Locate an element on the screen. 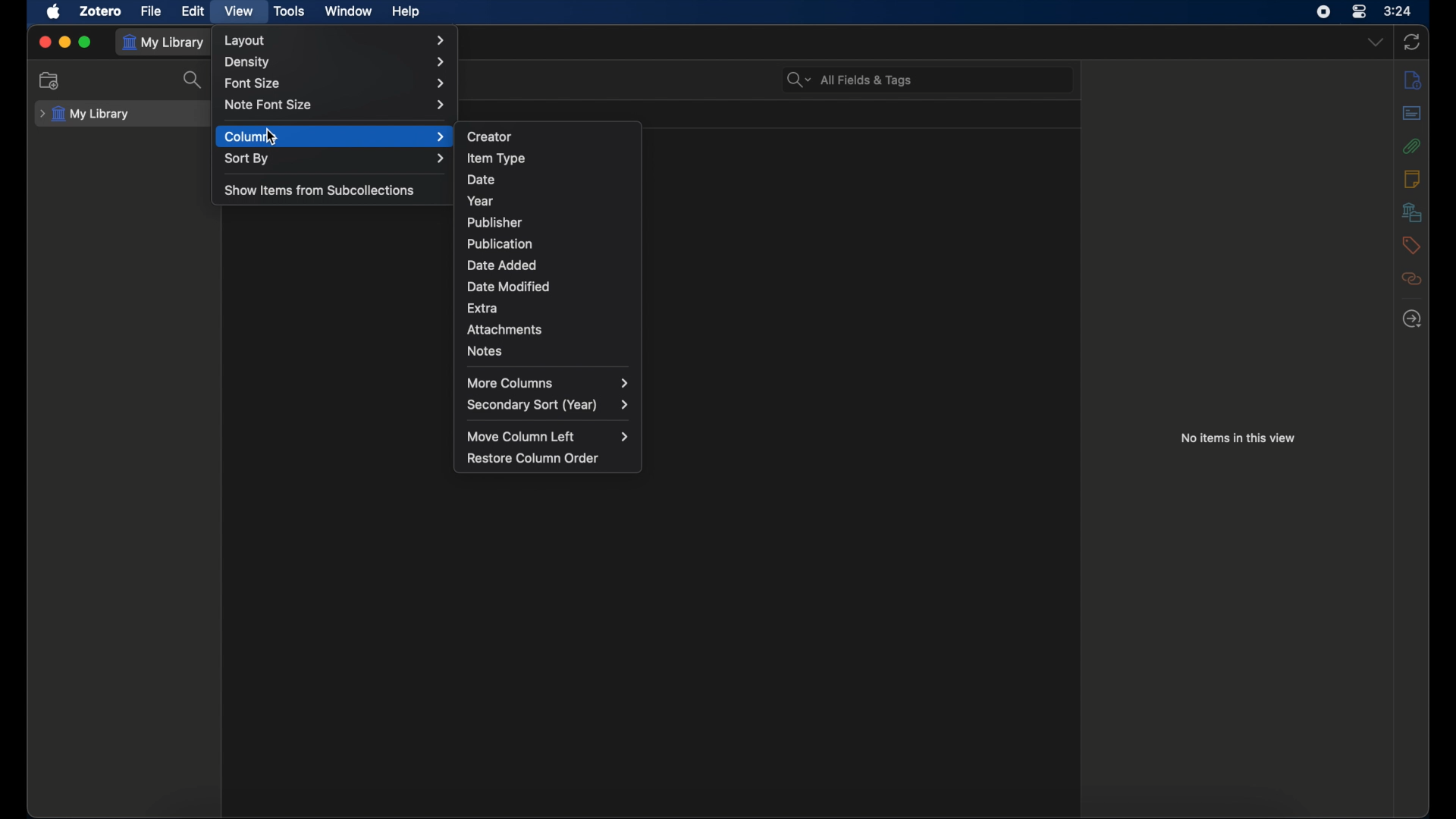 This screenshot has height=819, width=1456. show items from sub collections is located at coordinates (319, 191).